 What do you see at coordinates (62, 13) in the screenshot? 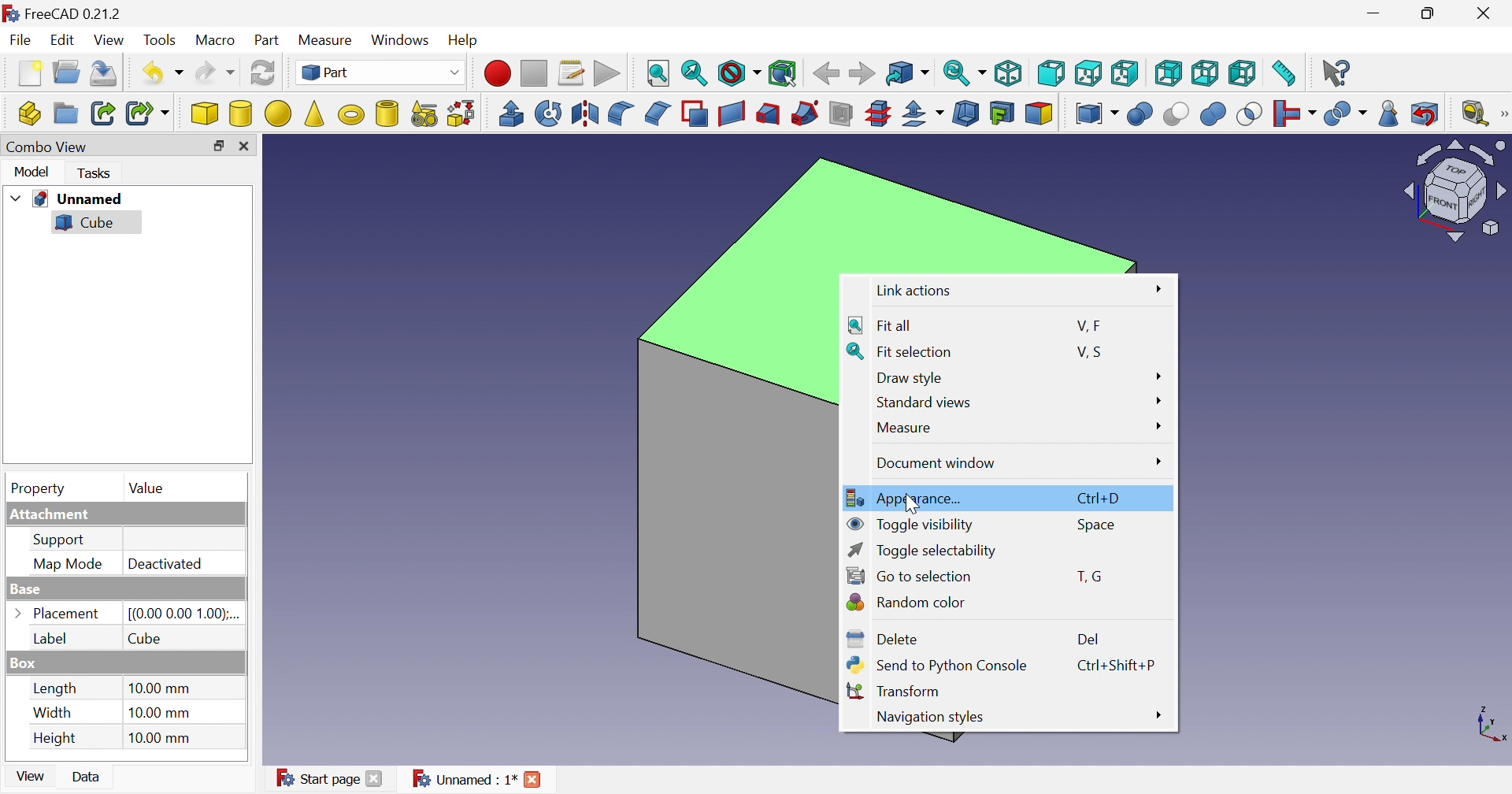
I see `FreeCAD 0.21.2` at bounding box center [62, 13].